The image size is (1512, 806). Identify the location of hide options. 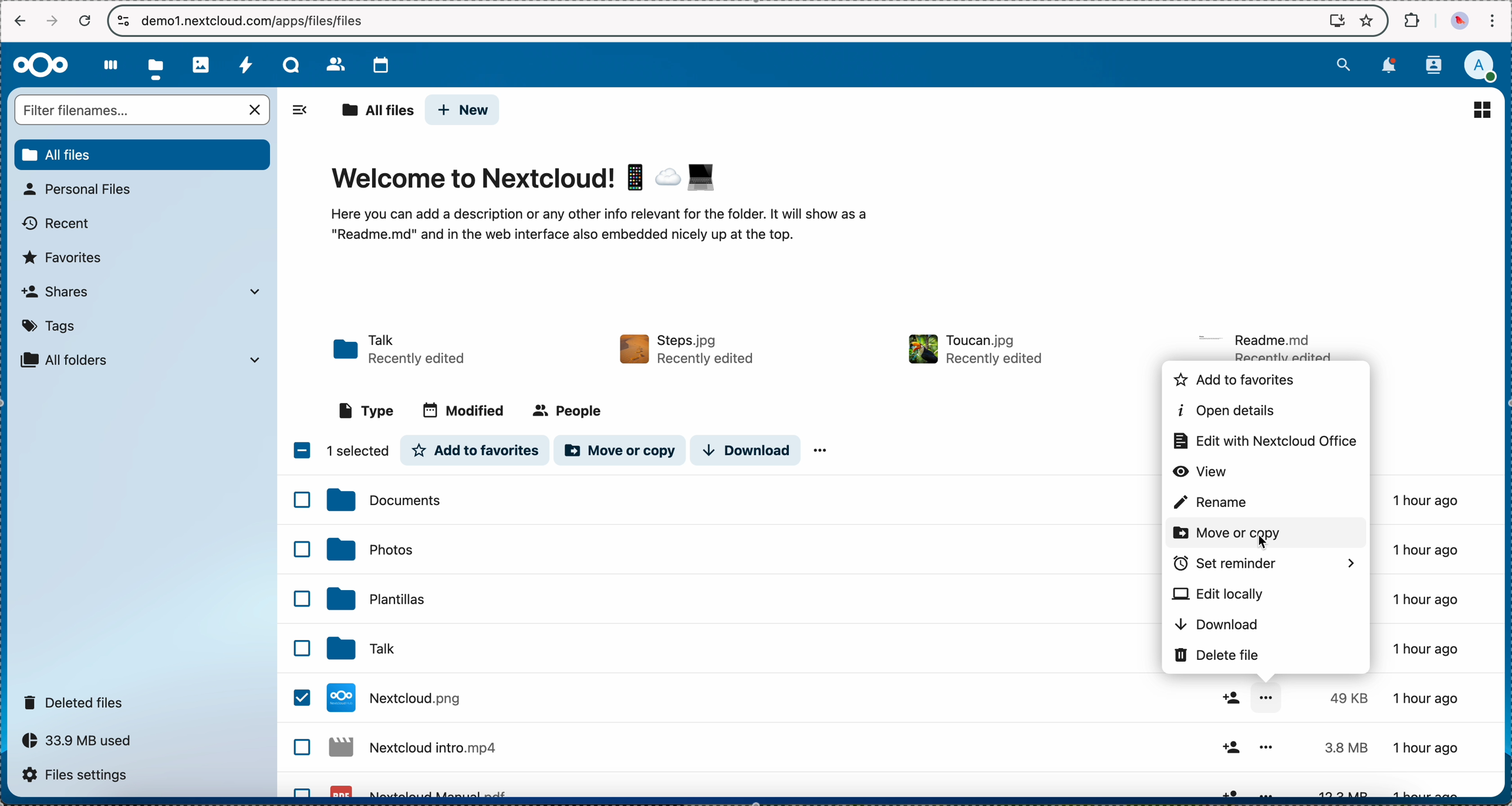
(305, 110).